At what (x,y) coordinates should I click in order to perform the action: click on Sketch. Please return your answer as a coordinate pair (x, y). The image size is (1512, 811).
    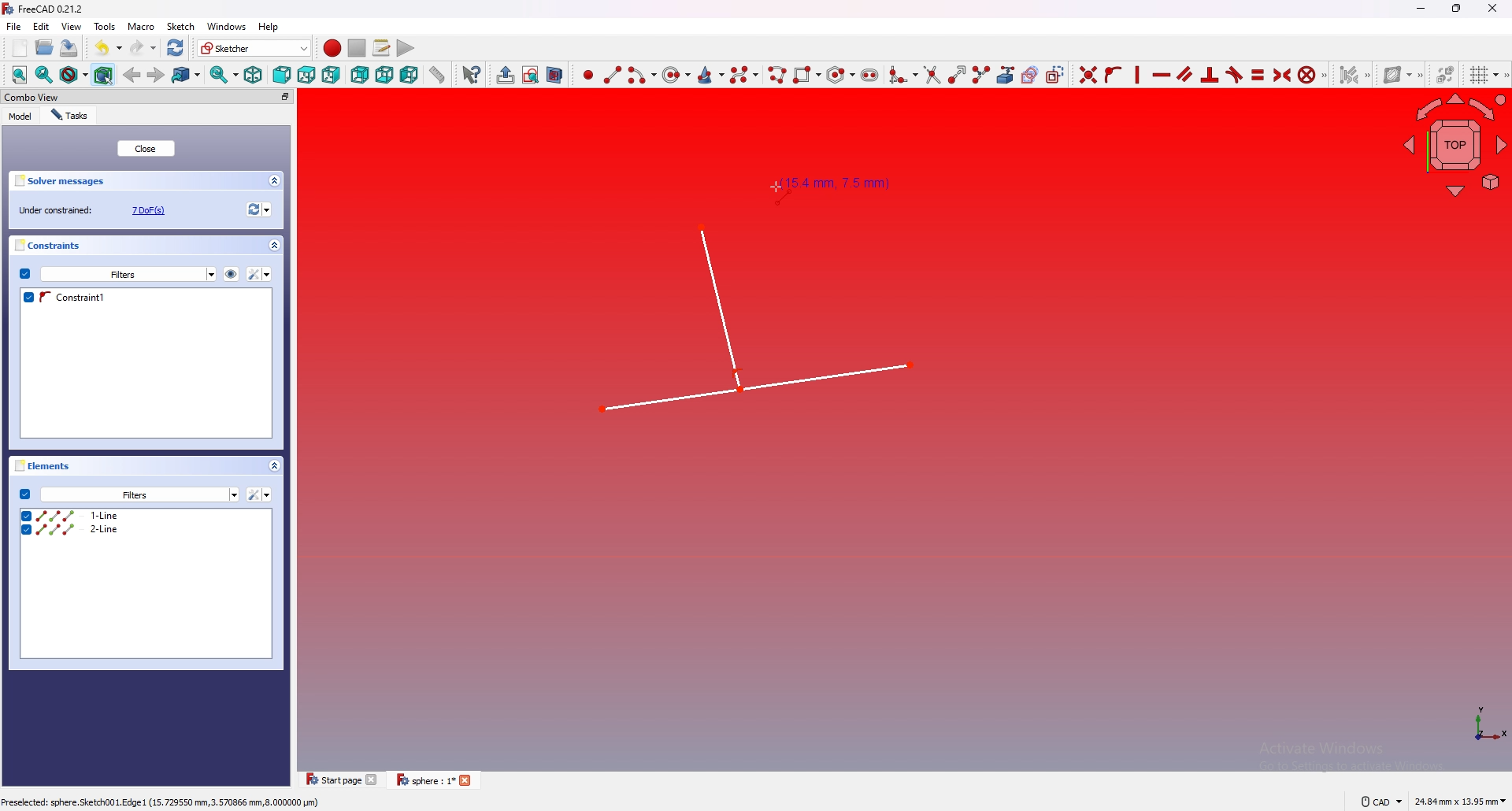
    Looking at the image, I should click on (182, 27).